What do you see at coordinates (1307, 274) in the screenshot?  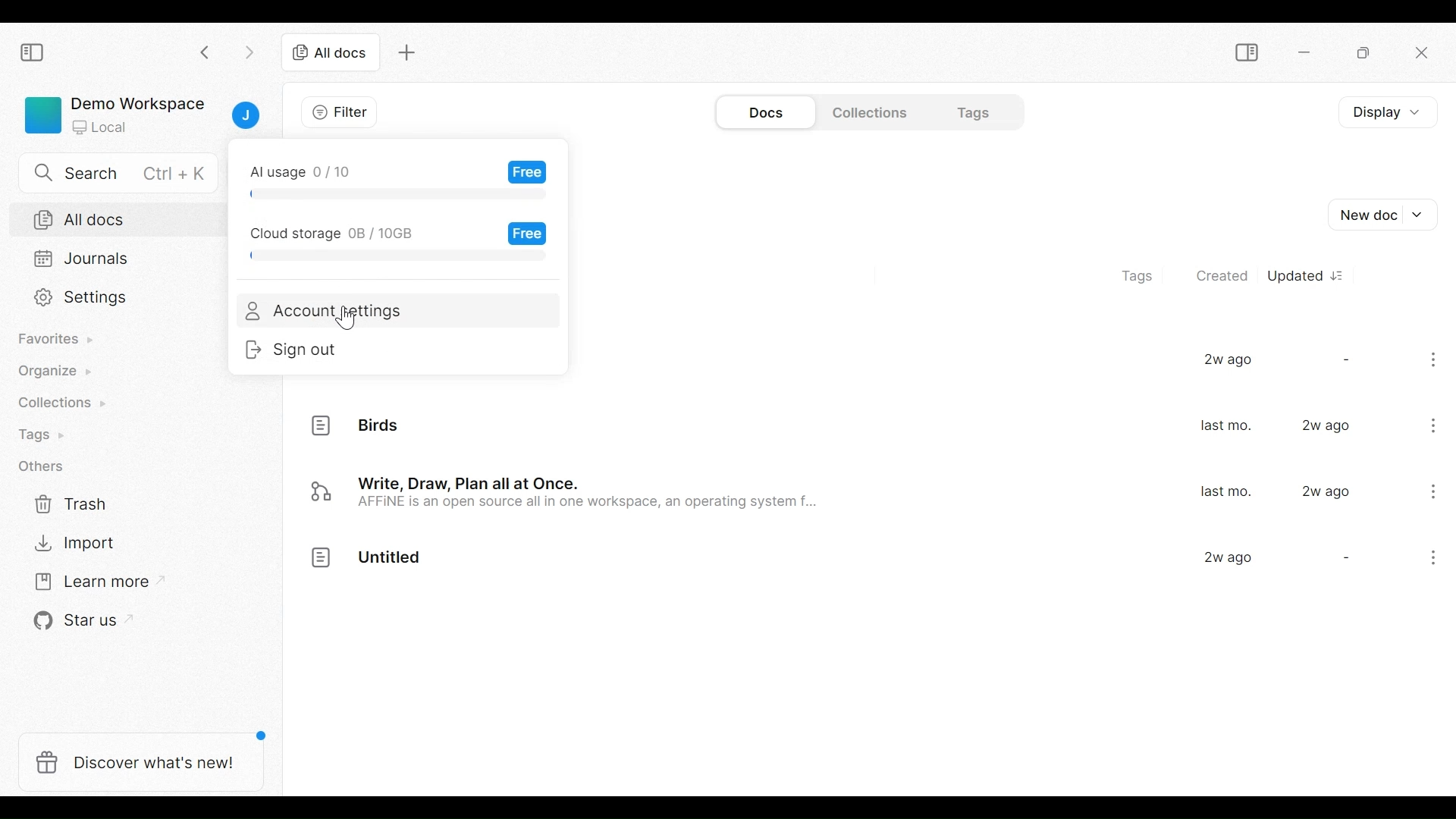 I see `Updated` at bounding box center [1307, 274].